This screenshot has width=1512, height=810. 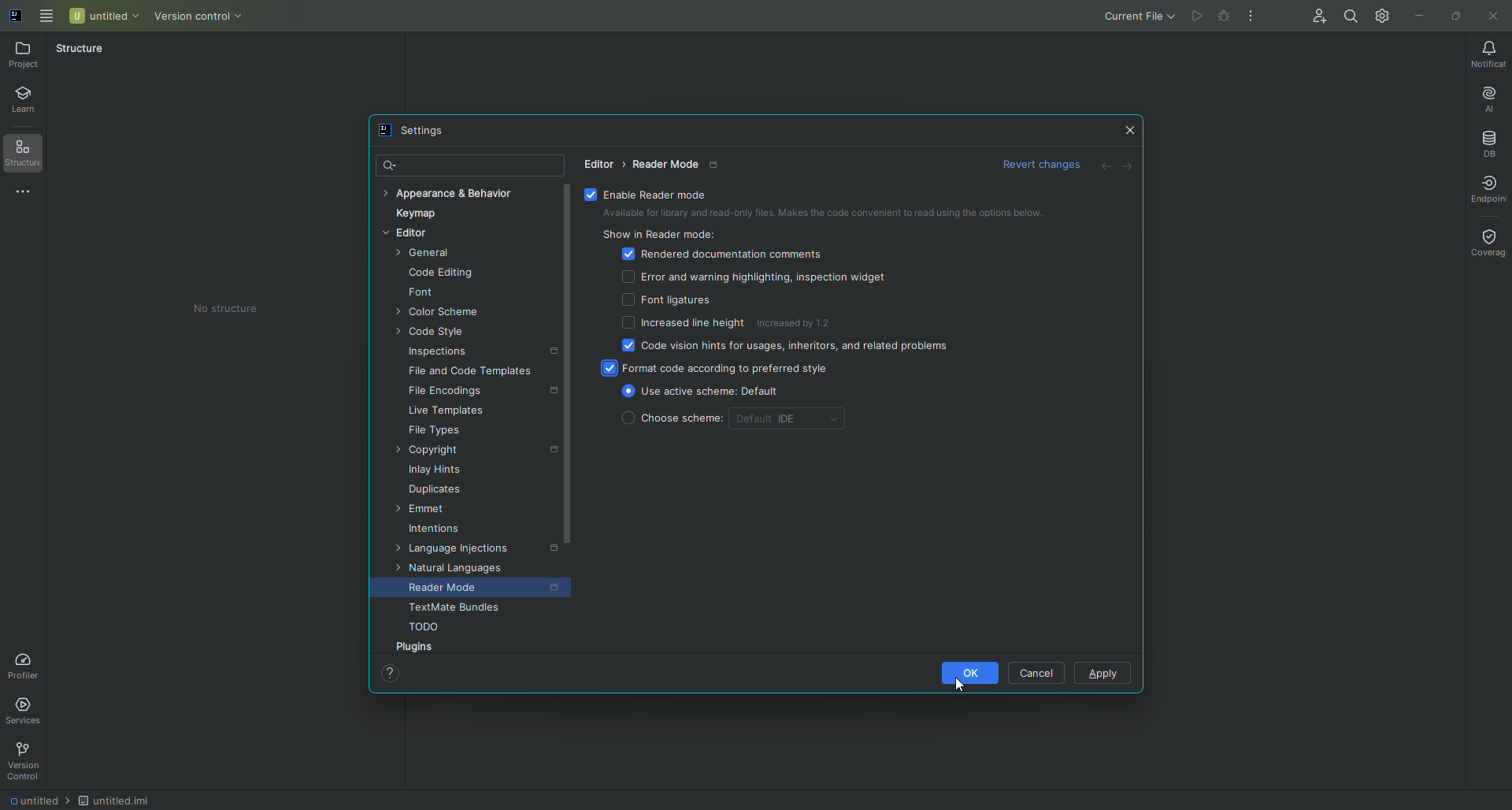 I want to click on Code Editing, so click(x=435, y=273).